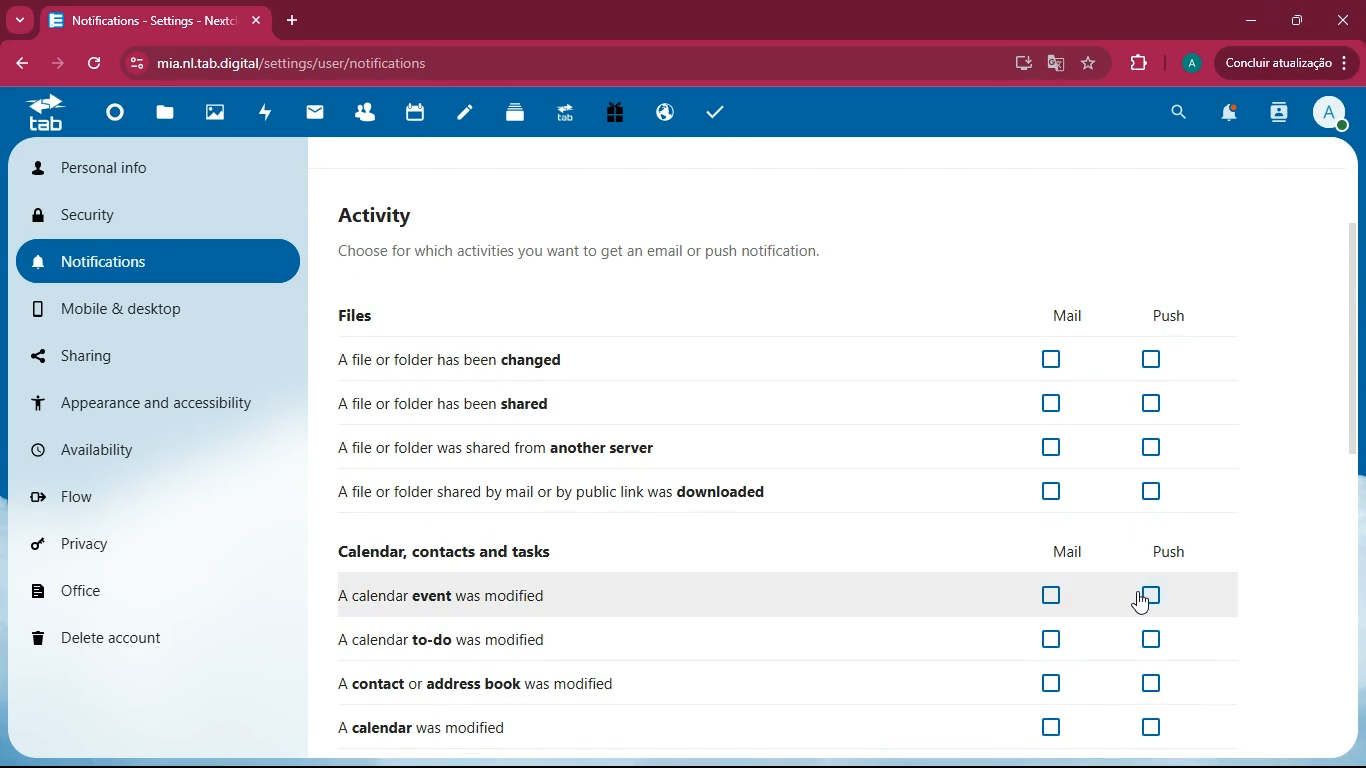  Describe the element at coordinates (1281, 115) in the screenshot. I see `activity` at that location.